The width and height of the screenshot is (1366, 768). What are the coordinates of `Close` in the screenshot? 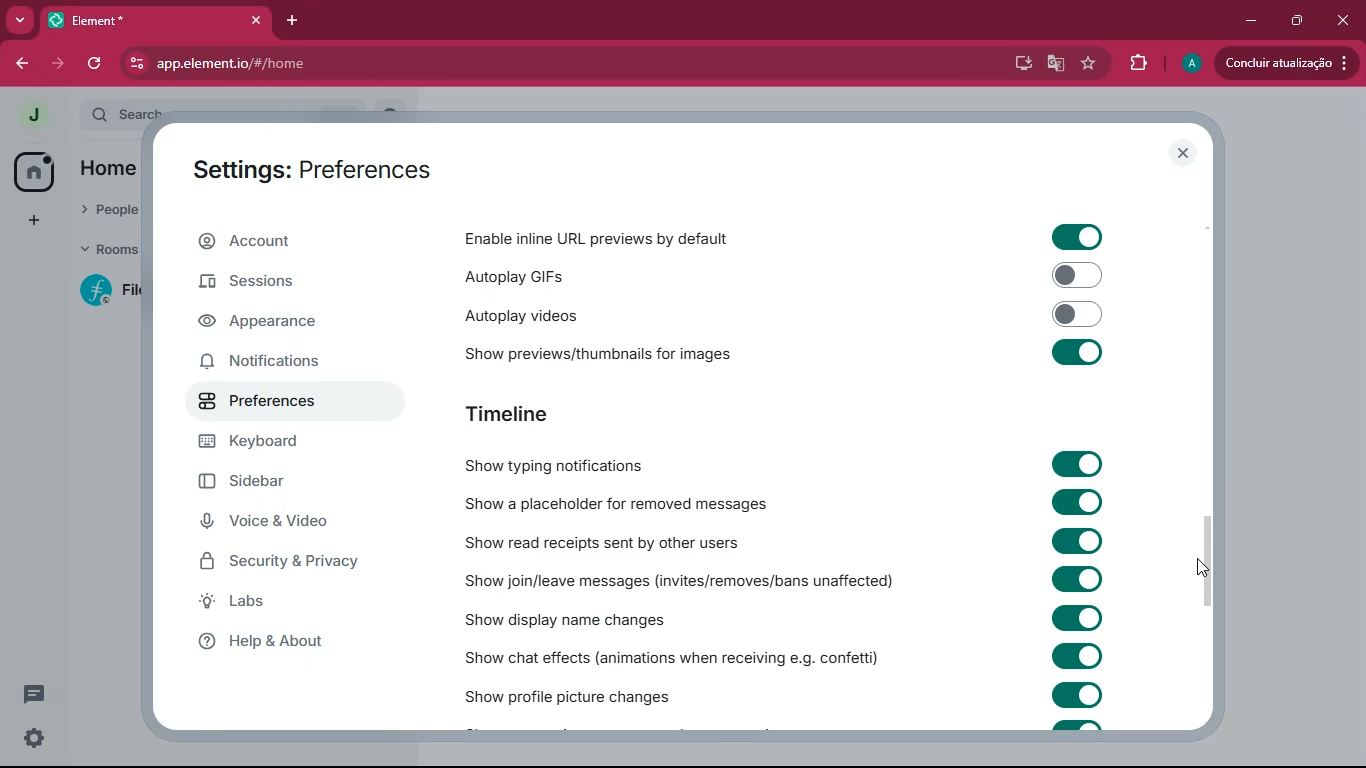 It's located at (1342, 18).